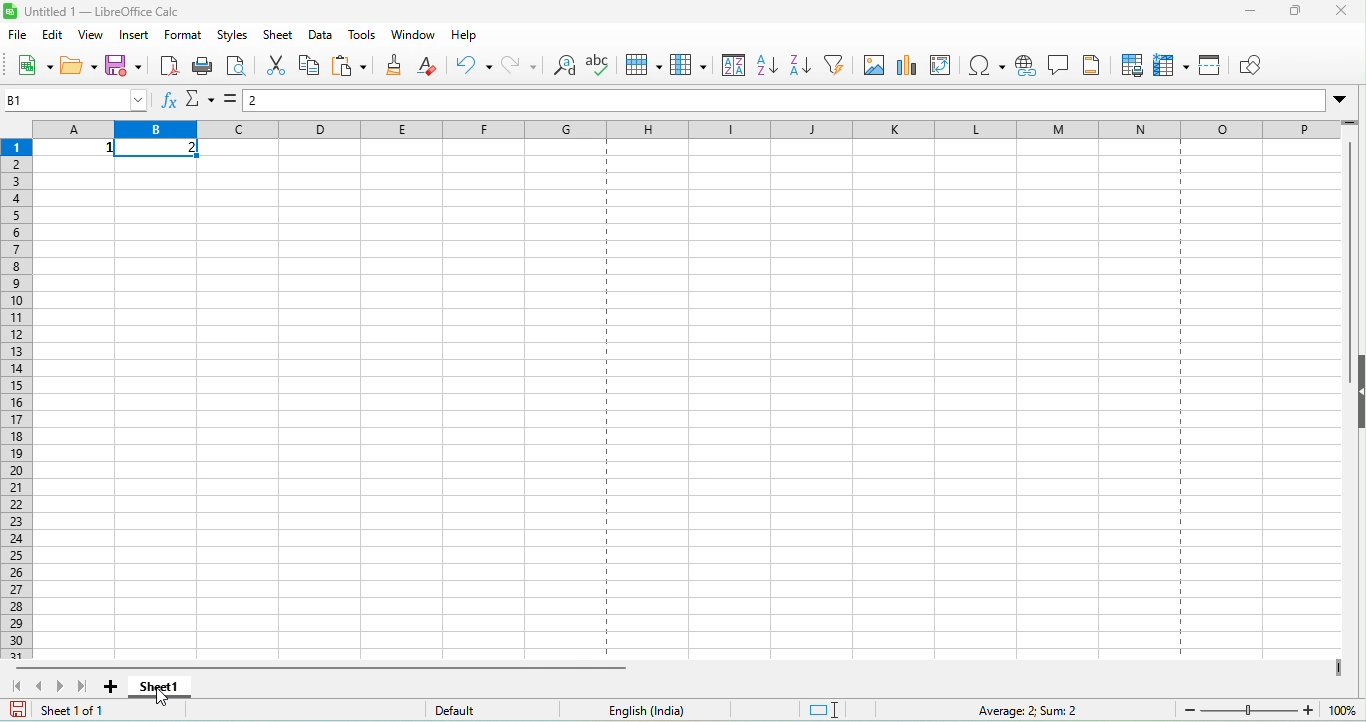  I want to click on horizontal bar, so click(325, 666).